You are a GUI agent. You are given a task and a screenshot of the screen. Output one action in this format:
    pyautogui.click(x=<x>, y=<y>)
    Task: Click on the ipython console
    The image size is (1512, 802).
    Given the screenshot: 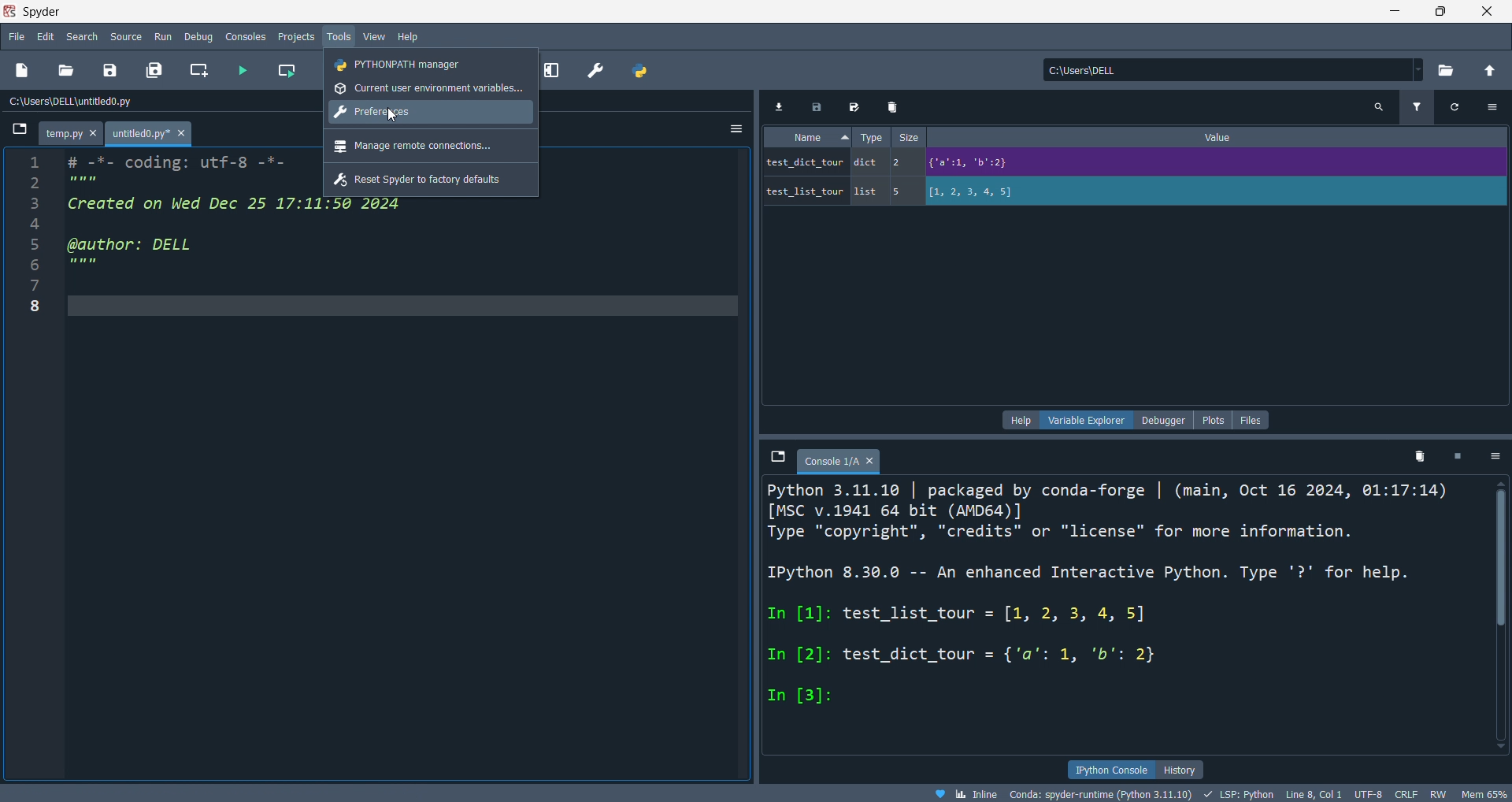 What is the action you would take?
    pyautogui.click(x=1110, y=770)
    